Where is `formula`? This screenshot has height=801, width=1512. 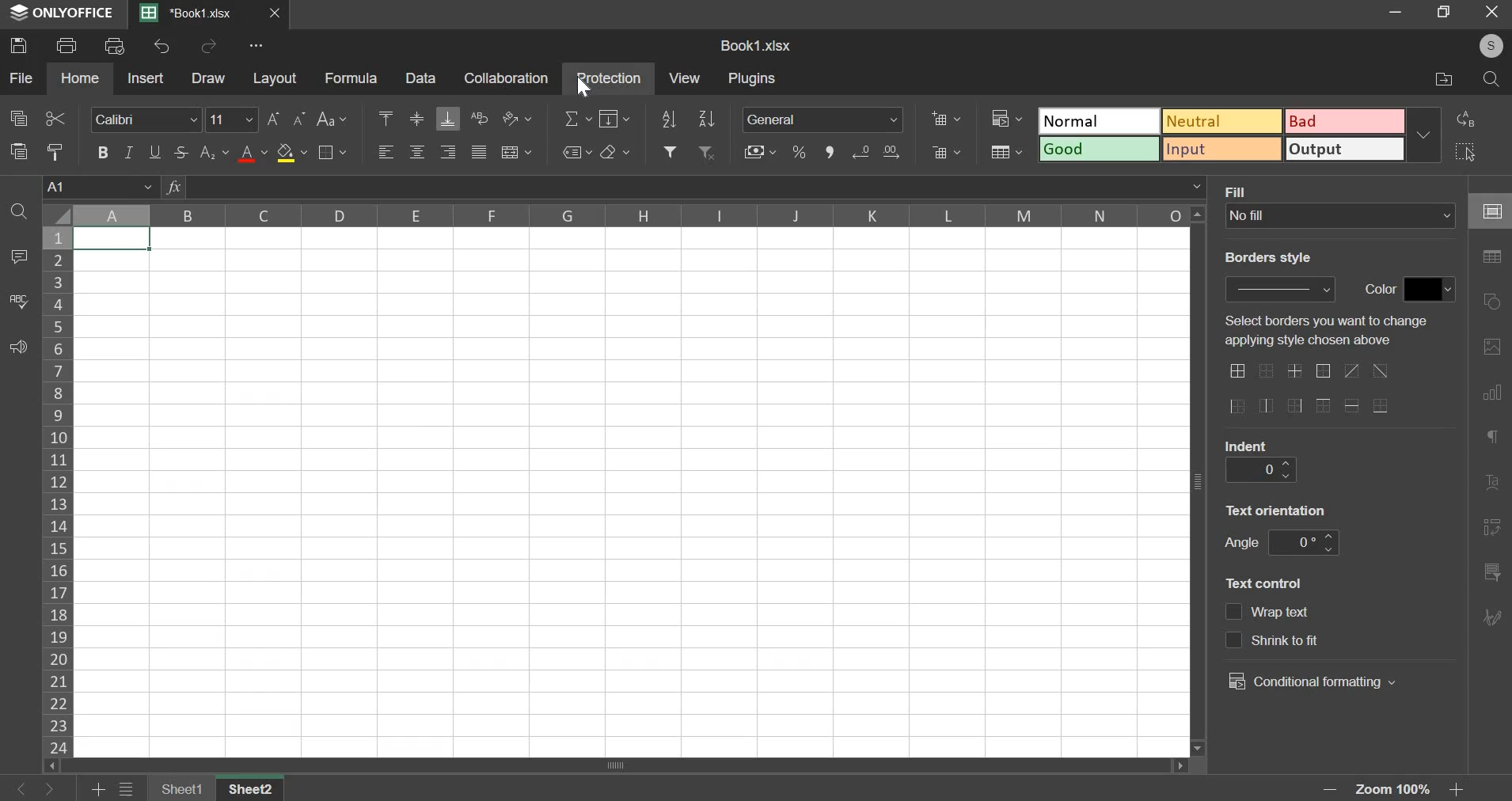
formula is located at coordinates (351, 78).